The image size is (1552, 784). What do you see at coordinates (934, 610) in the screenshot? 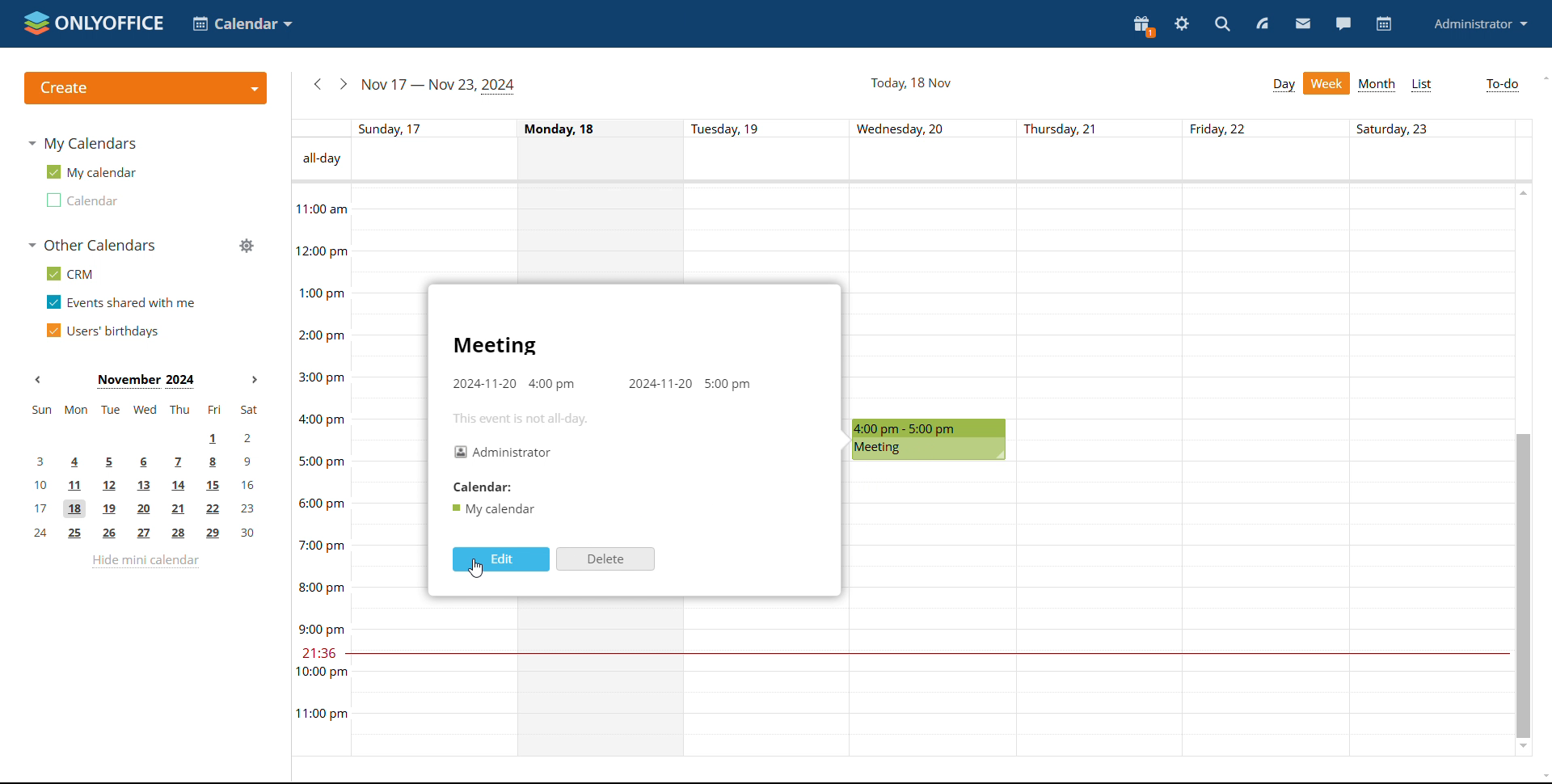
I see `wednesday` at bounding box center [934, 610].